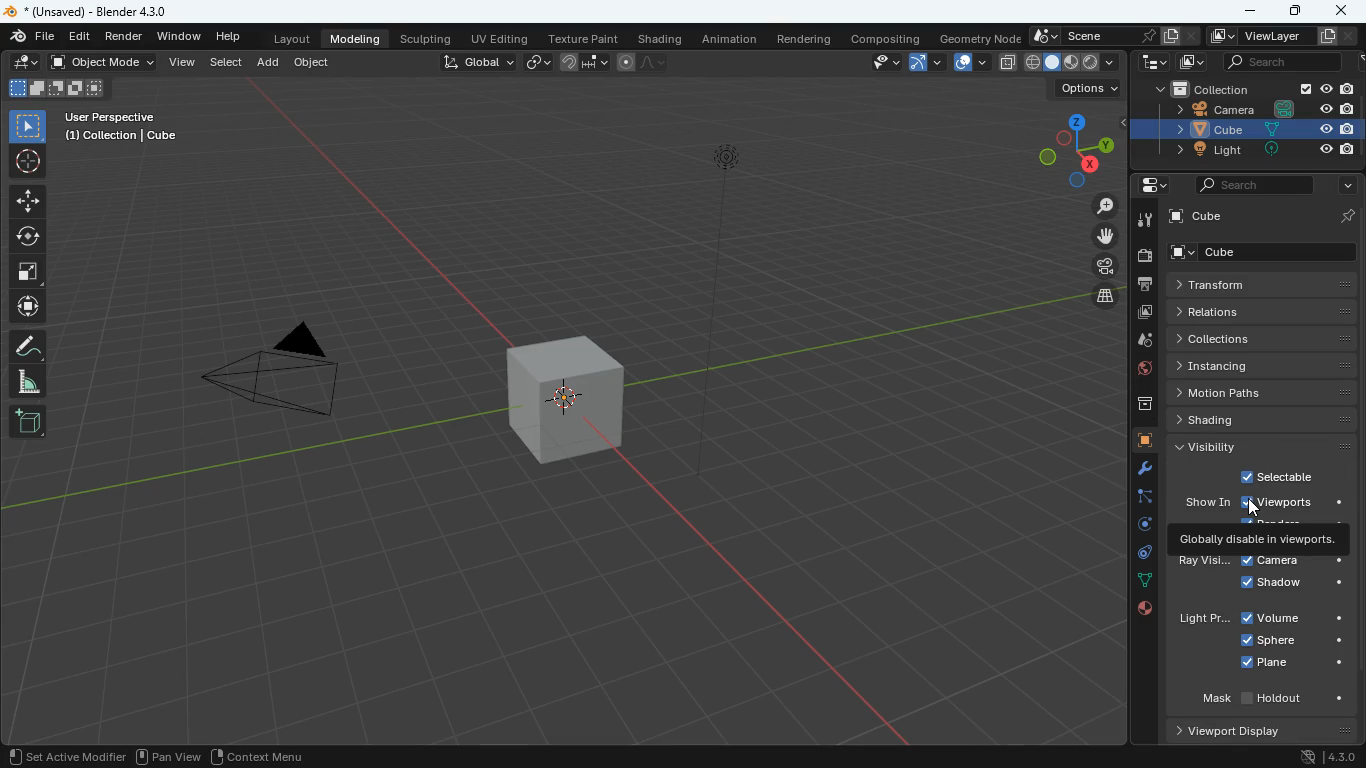 The height and width of the screenshot is (768, 1366). I want to click on motion paths, so click(1262, 391).